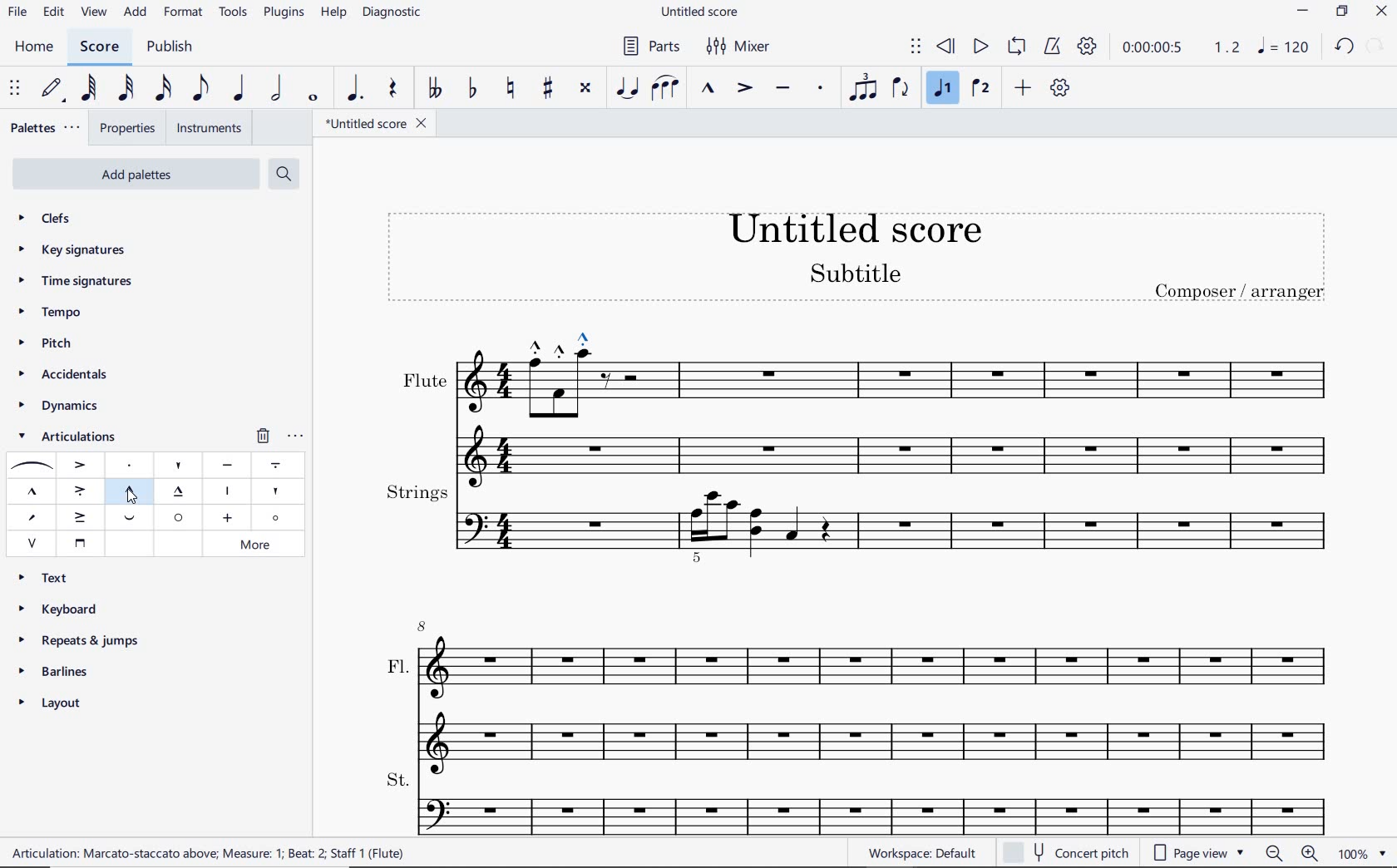 The height and width of the screenshot is (868, 1397). I want to click on WHOLE NOTE, so click(313, 98).